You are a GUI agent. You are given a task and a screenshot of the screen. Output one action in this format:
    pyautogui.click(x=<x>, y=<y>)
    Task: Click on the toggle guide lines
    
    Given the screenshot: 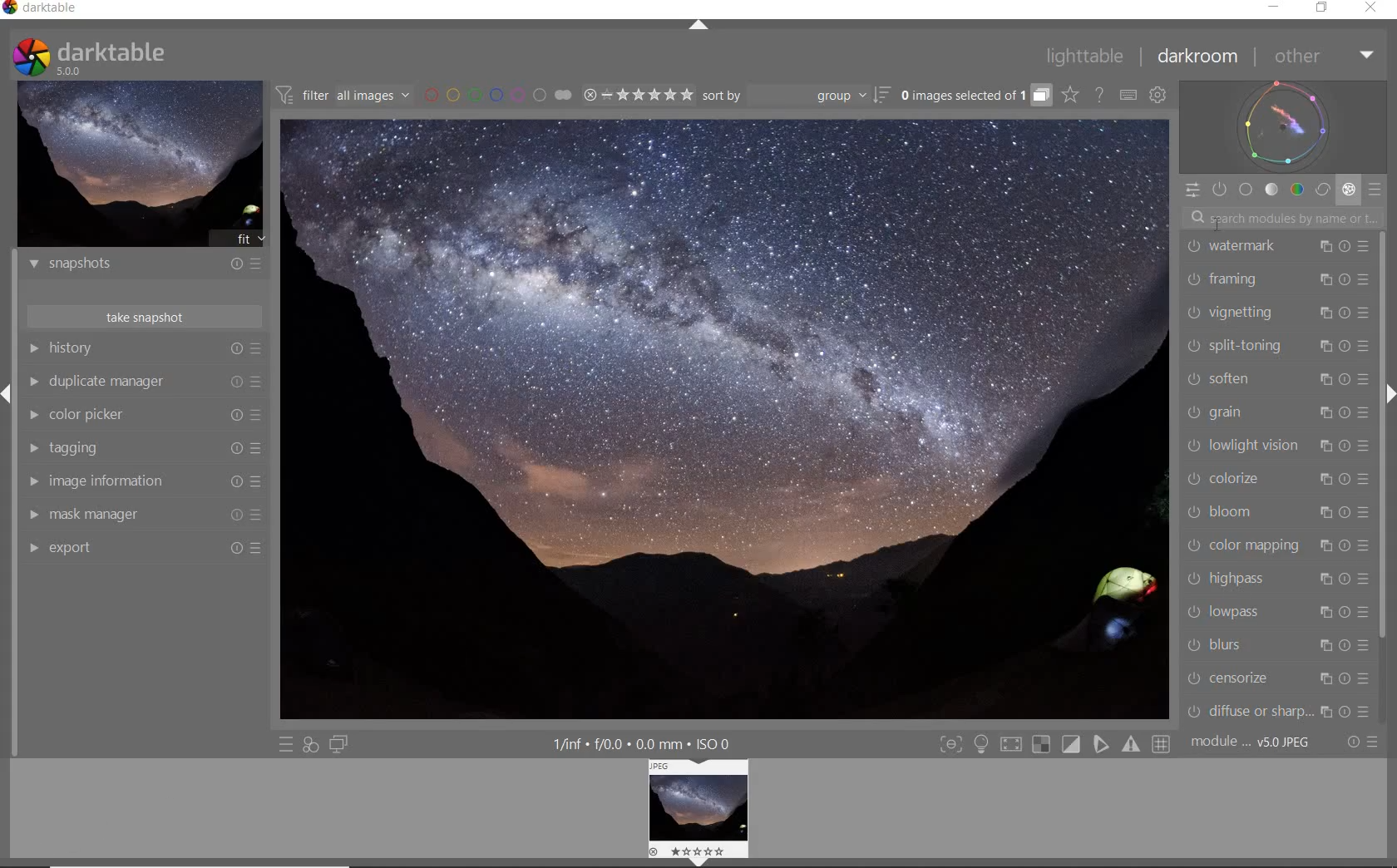 What is the action you would take?
    pyautogui.click(x=1164, y=744)
    